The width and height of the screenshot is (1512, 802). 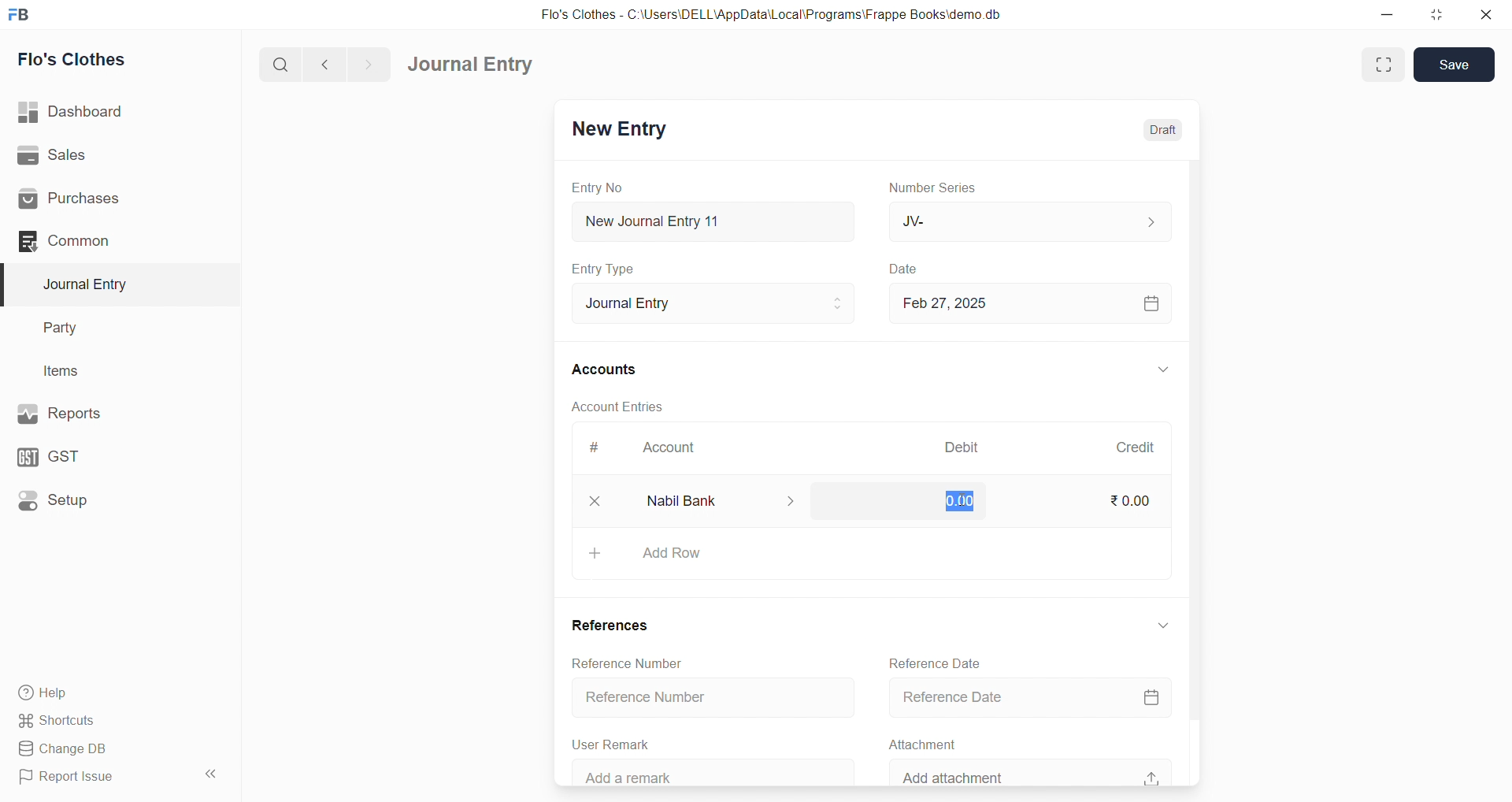 What do you see at coordinates (1028, 303) in the screenshot?
I see `Feb 27, 2025` at bounding box center [1028, 303].